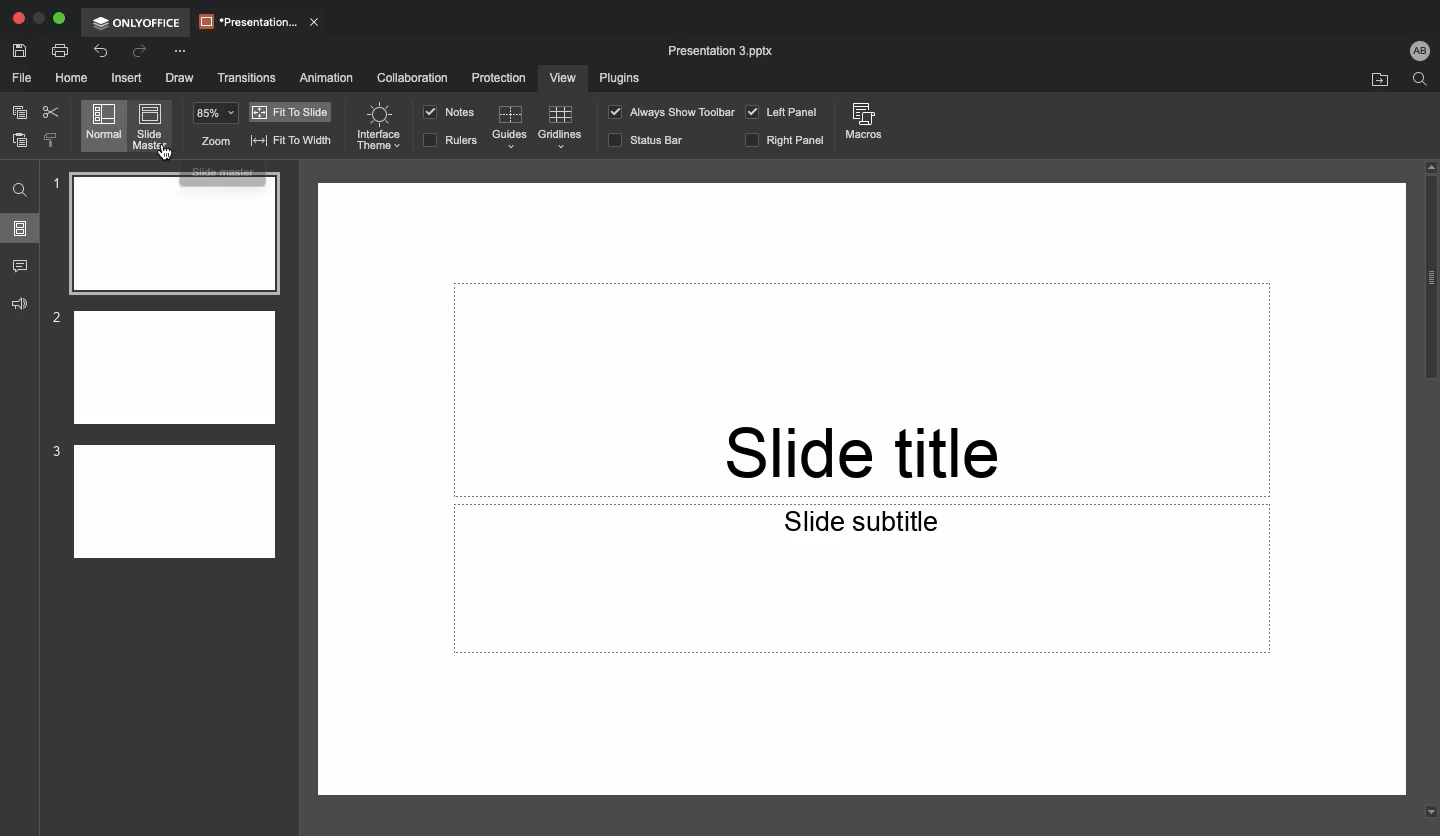 This screenshot has width=1440, height=836. What do you see at coordinates (291, 140) in the screenshot?
I see `Fit to width` at bounding box center [291, 140].